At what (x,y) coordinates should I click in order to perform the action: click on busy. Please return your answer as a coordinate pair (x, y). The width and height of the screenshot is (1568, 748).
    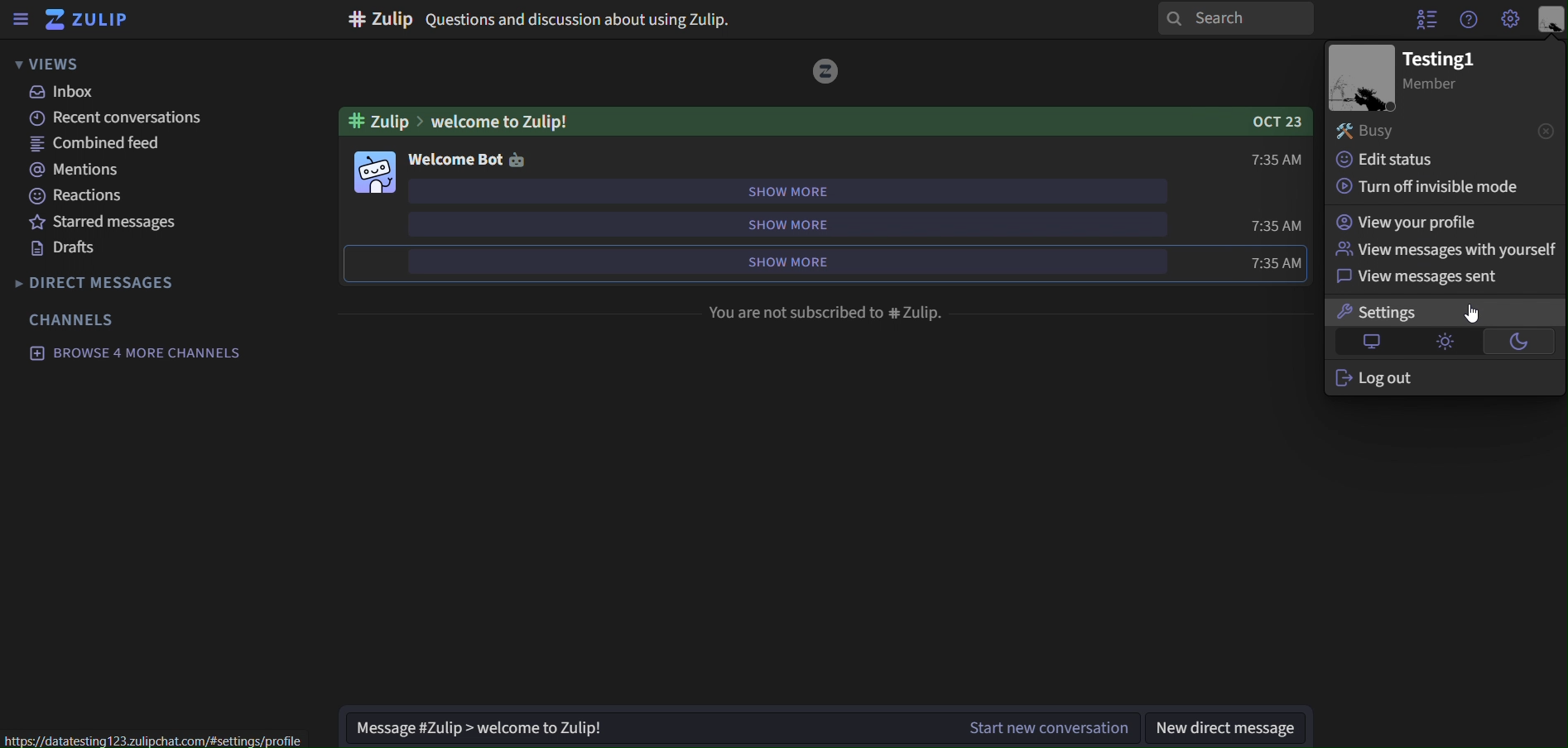
    Looking at the image, I should click on (1366, 131).